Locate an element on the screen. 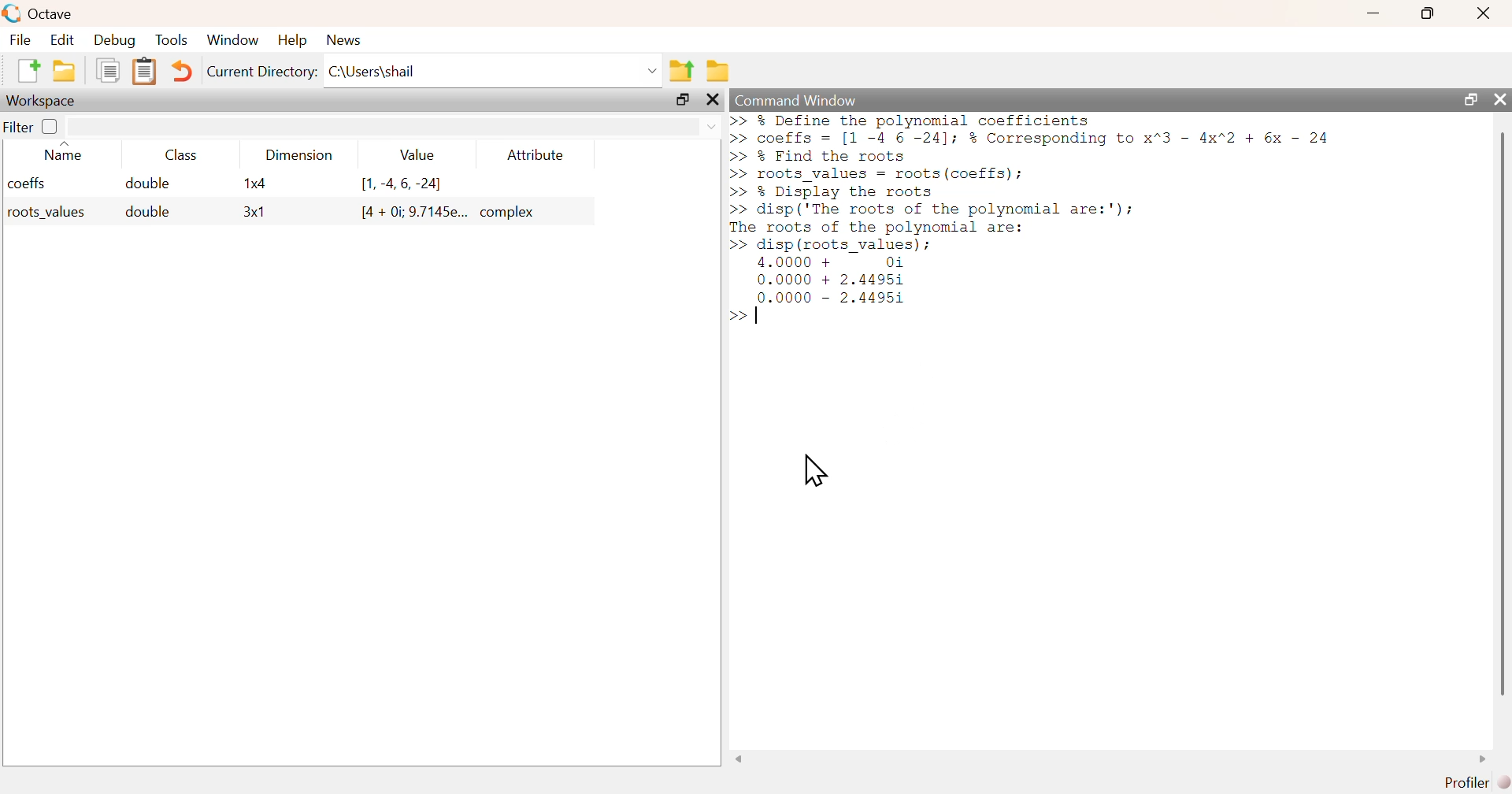 The height and width of the screenshot is (794, 1512). Edit is located at coordinates (61, 39).